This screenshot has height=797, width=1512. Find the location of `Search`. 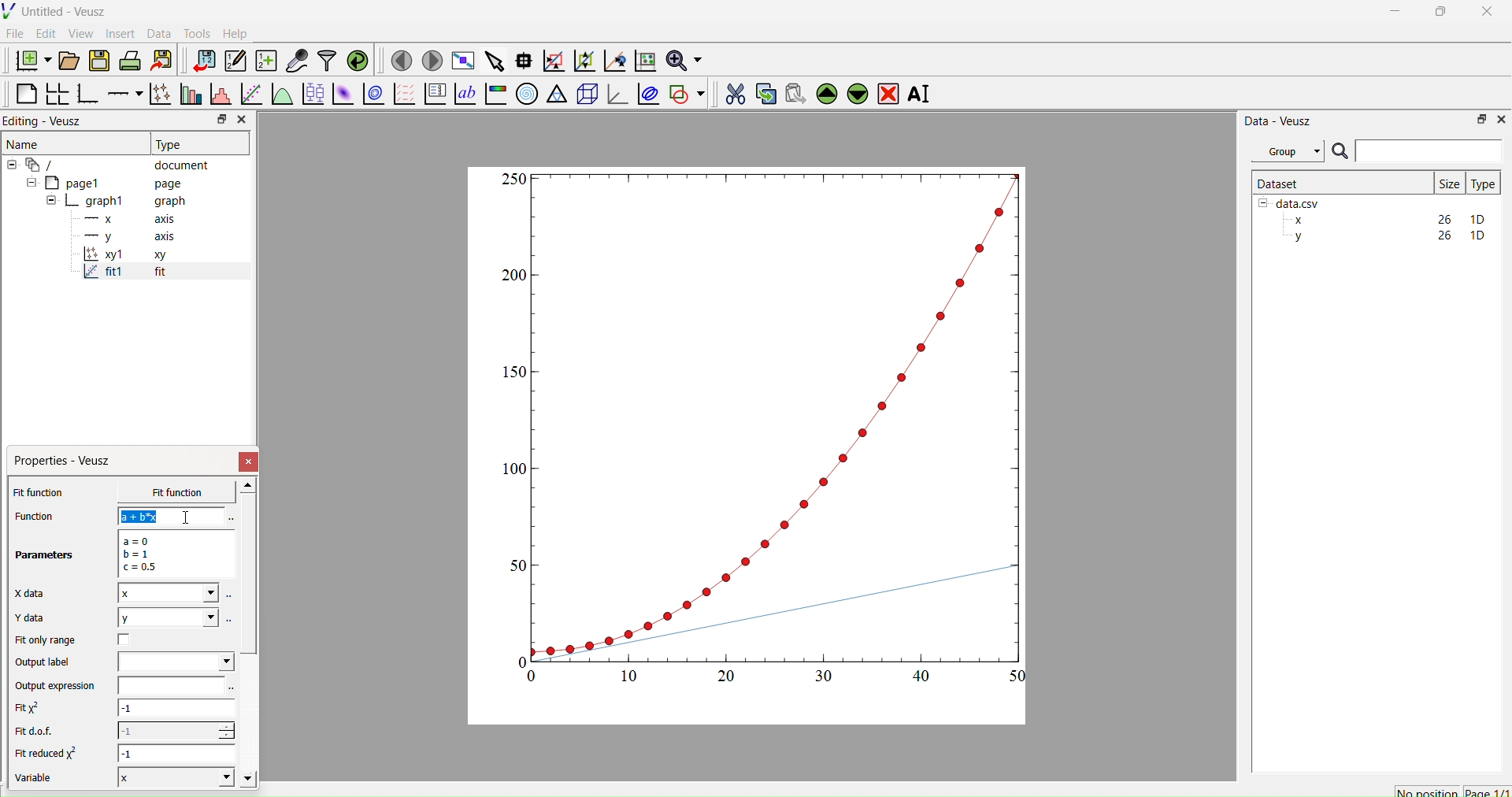

Search is located at coordinates (1340, 152).